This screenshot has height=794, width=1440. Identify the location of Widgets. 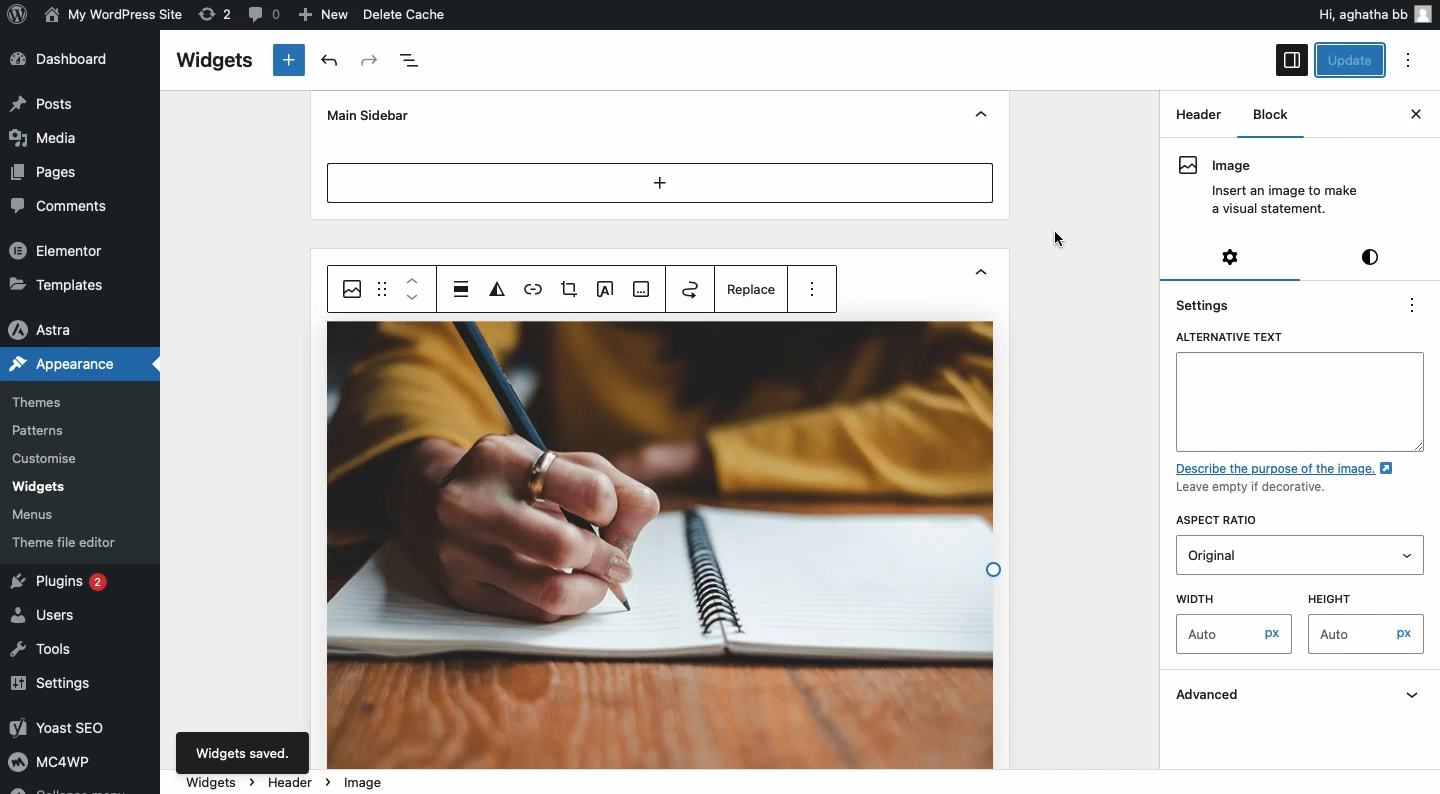
(213, 61).